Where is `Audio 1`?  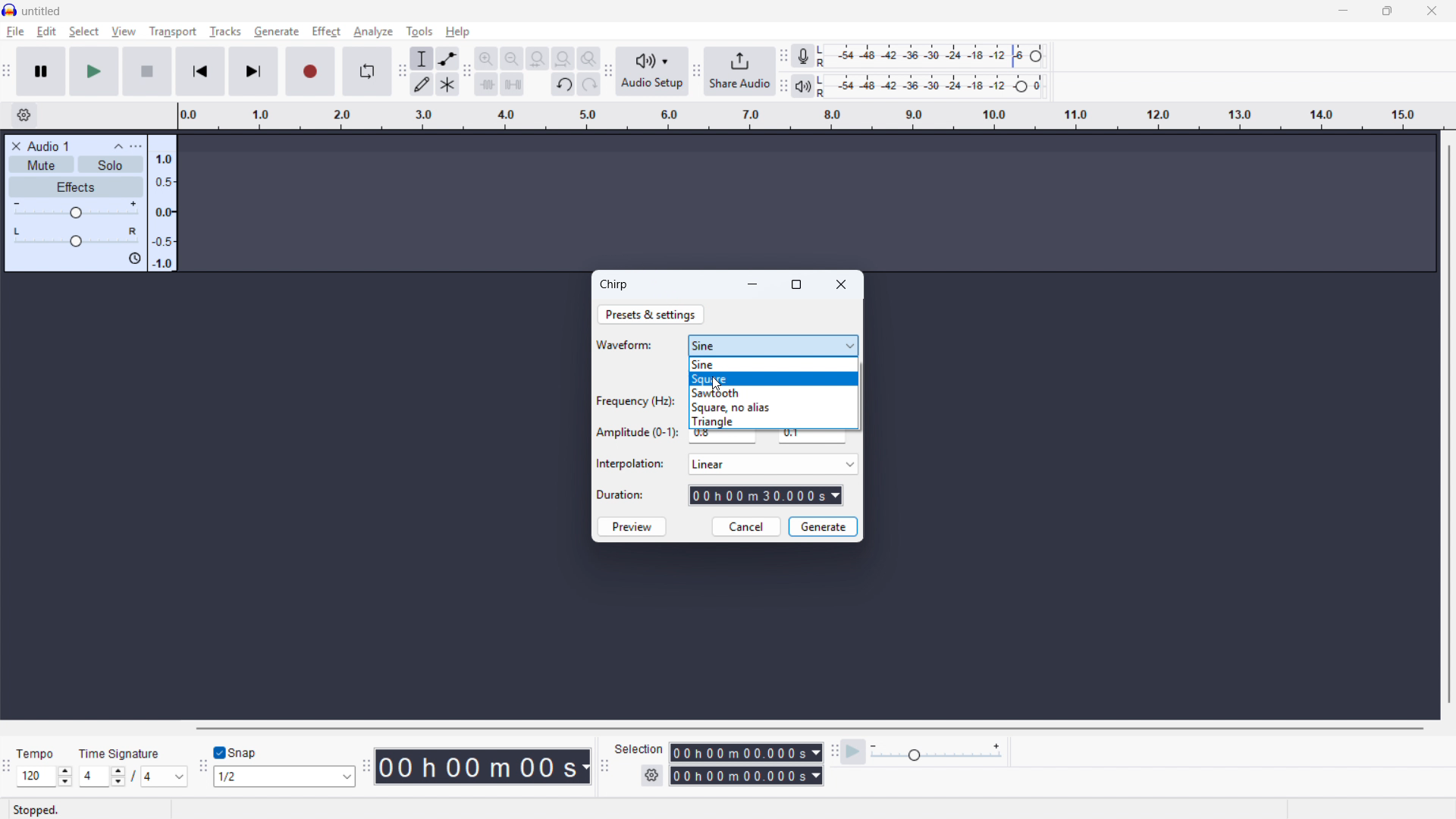
Audio 1 is located at coordinates (49, 146).